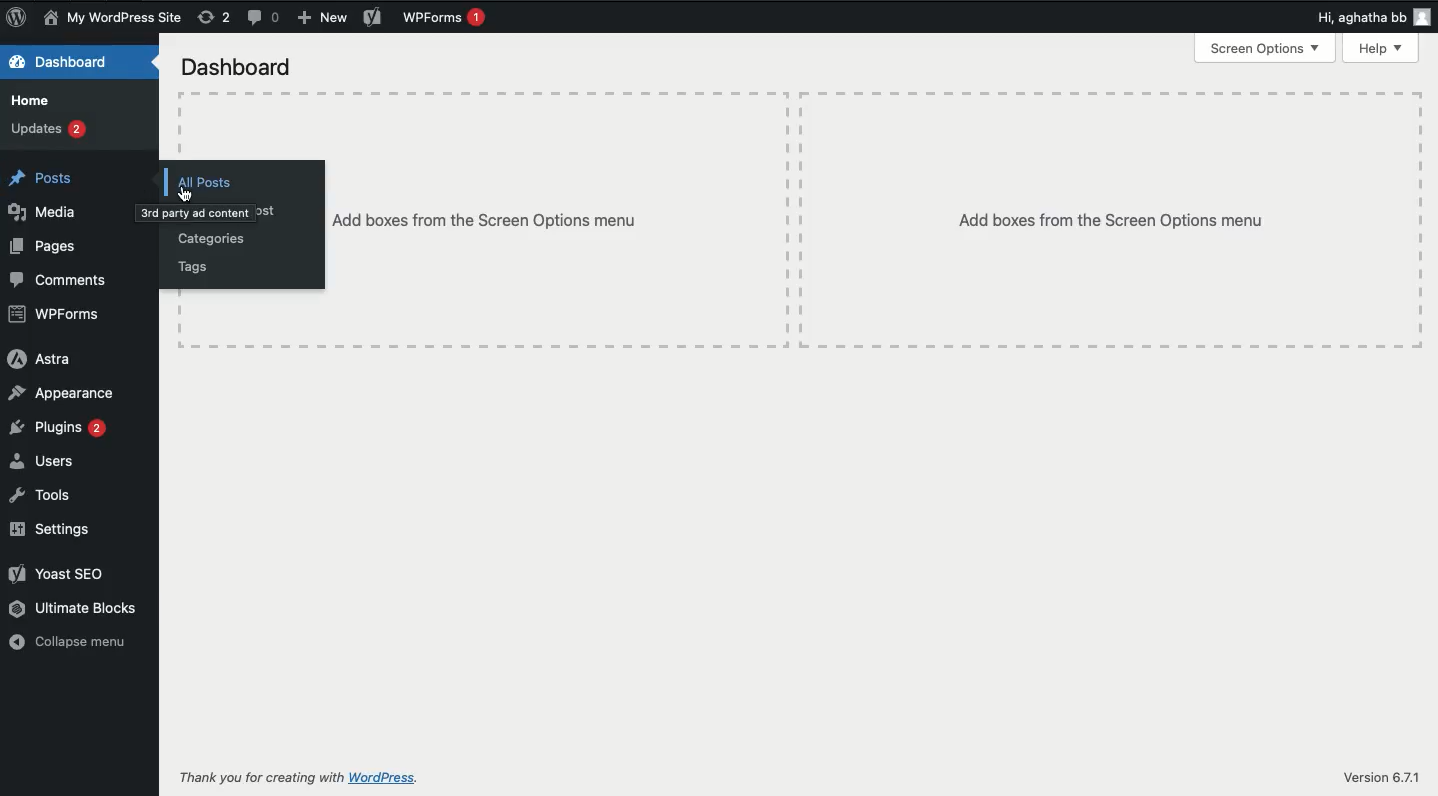  What do you see at coordinates (66, 394) in the screenshot?
I see `Appearance` at bounding box center [66, 394].